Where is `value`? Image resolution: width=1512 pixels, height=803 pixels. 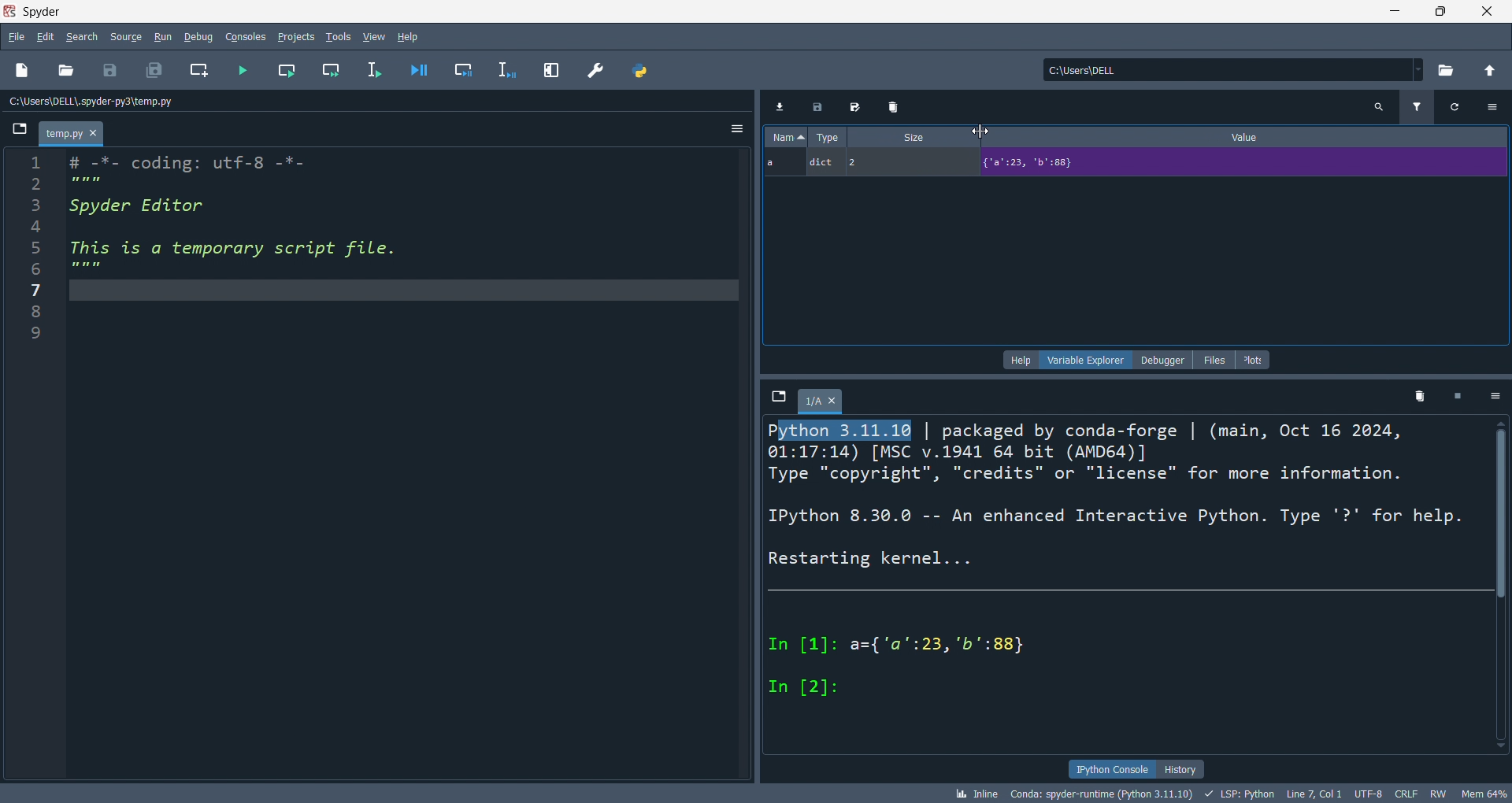 value is located at coordinates (1254, 139).